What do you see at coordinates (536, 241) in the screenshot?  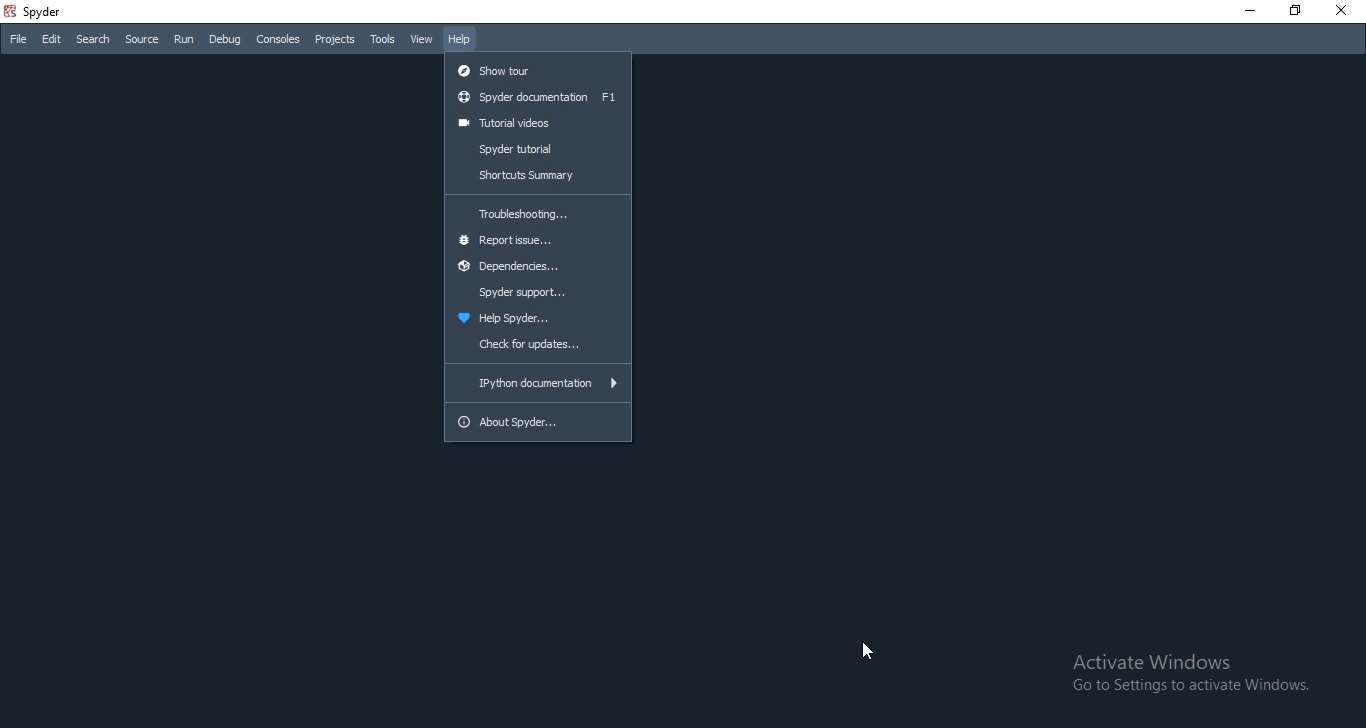 I see `report issue` at bounding box center [536, 241].